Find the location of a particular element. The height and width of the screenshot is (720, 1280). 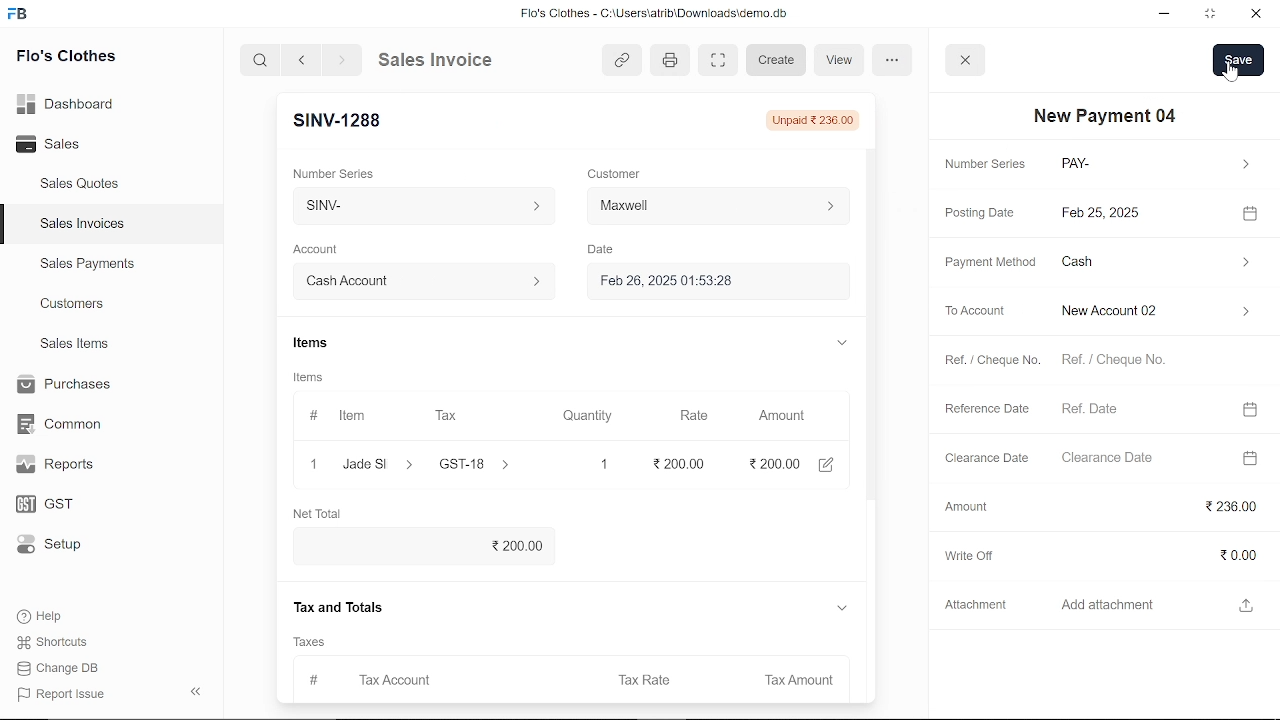

New account is located at coordinates (1154, 311).